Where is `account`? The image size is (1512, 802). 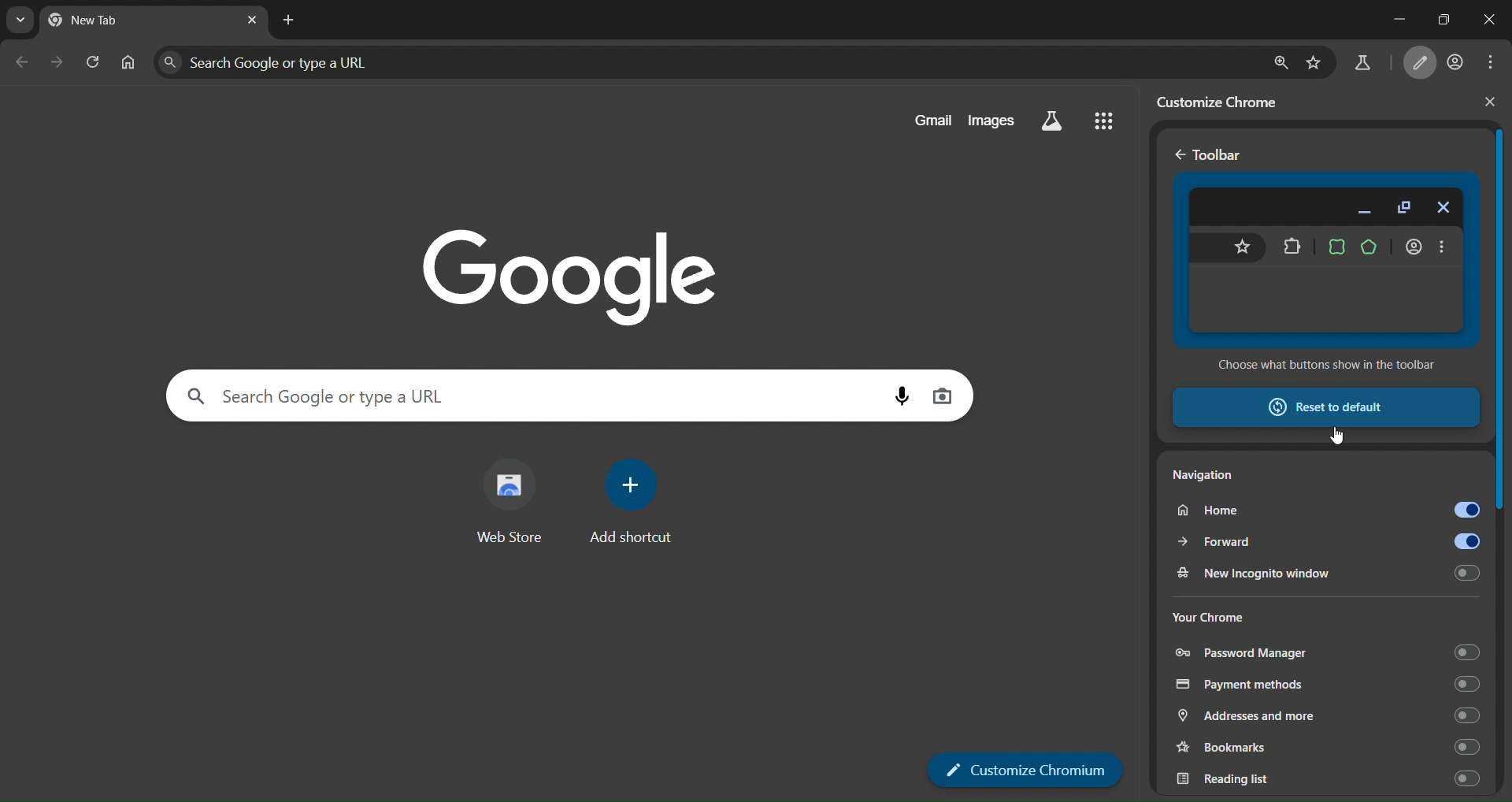
account is located at coordinates (1455, 64).